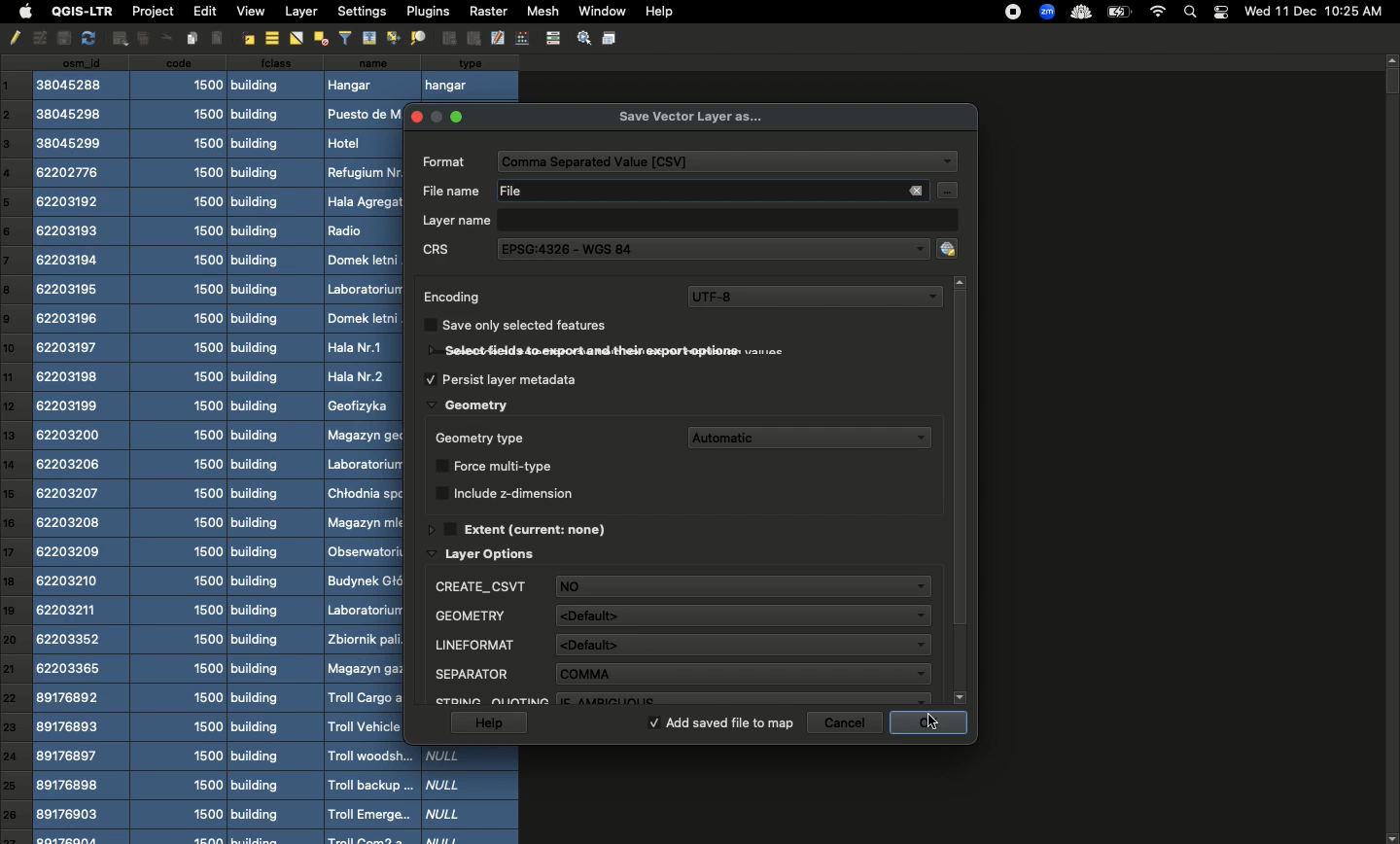 The image size is (1400, 844). What do you see at coordinates (366, 448) in the screenshot?
I see `Name` at bounding box center [366, 448].